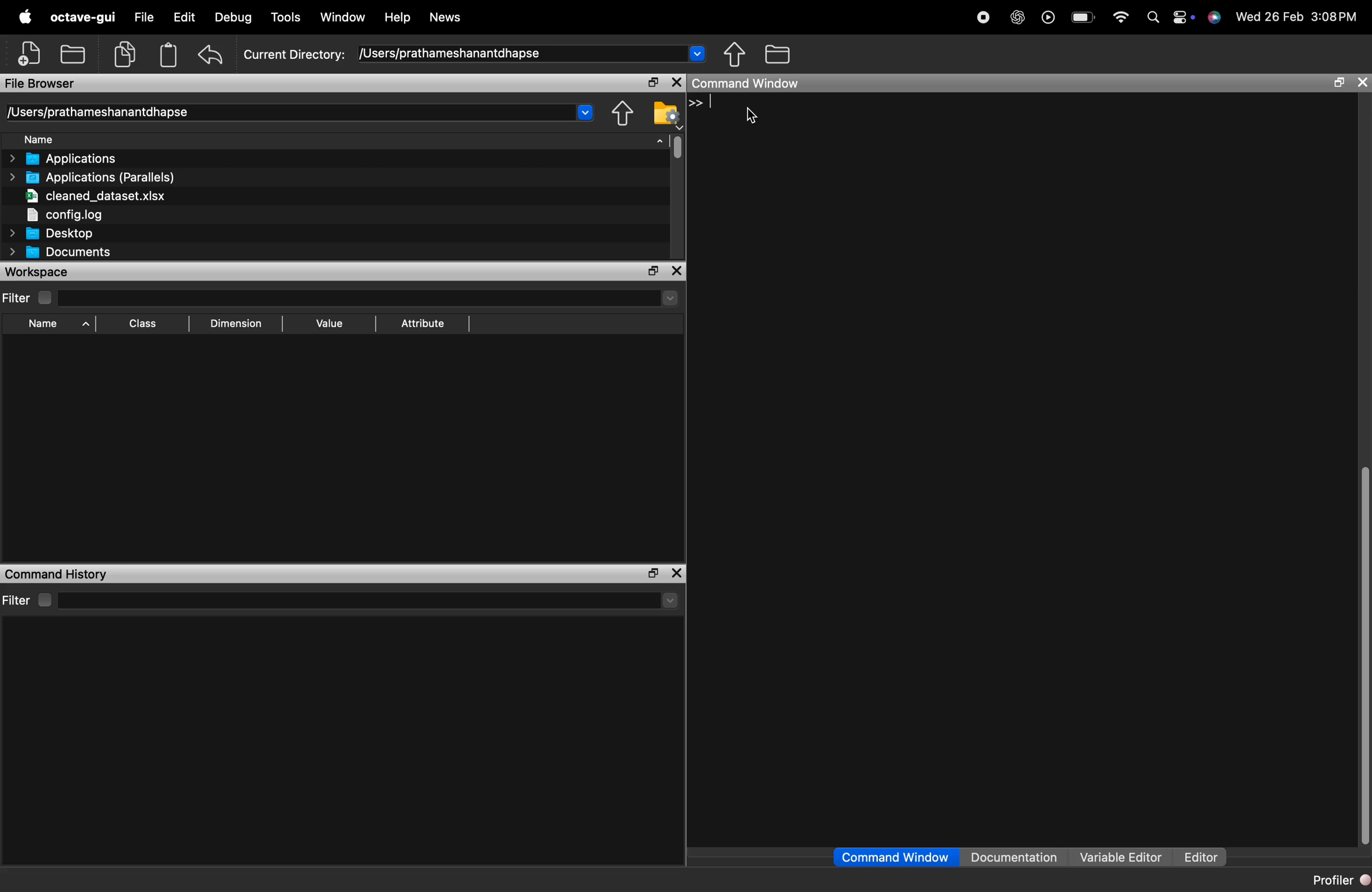 This screenshot has width=1372, height=892. What do you see at coordinates (421, 326) in the screenshot?
I see `Attribute` at bounding box center [421, 326].